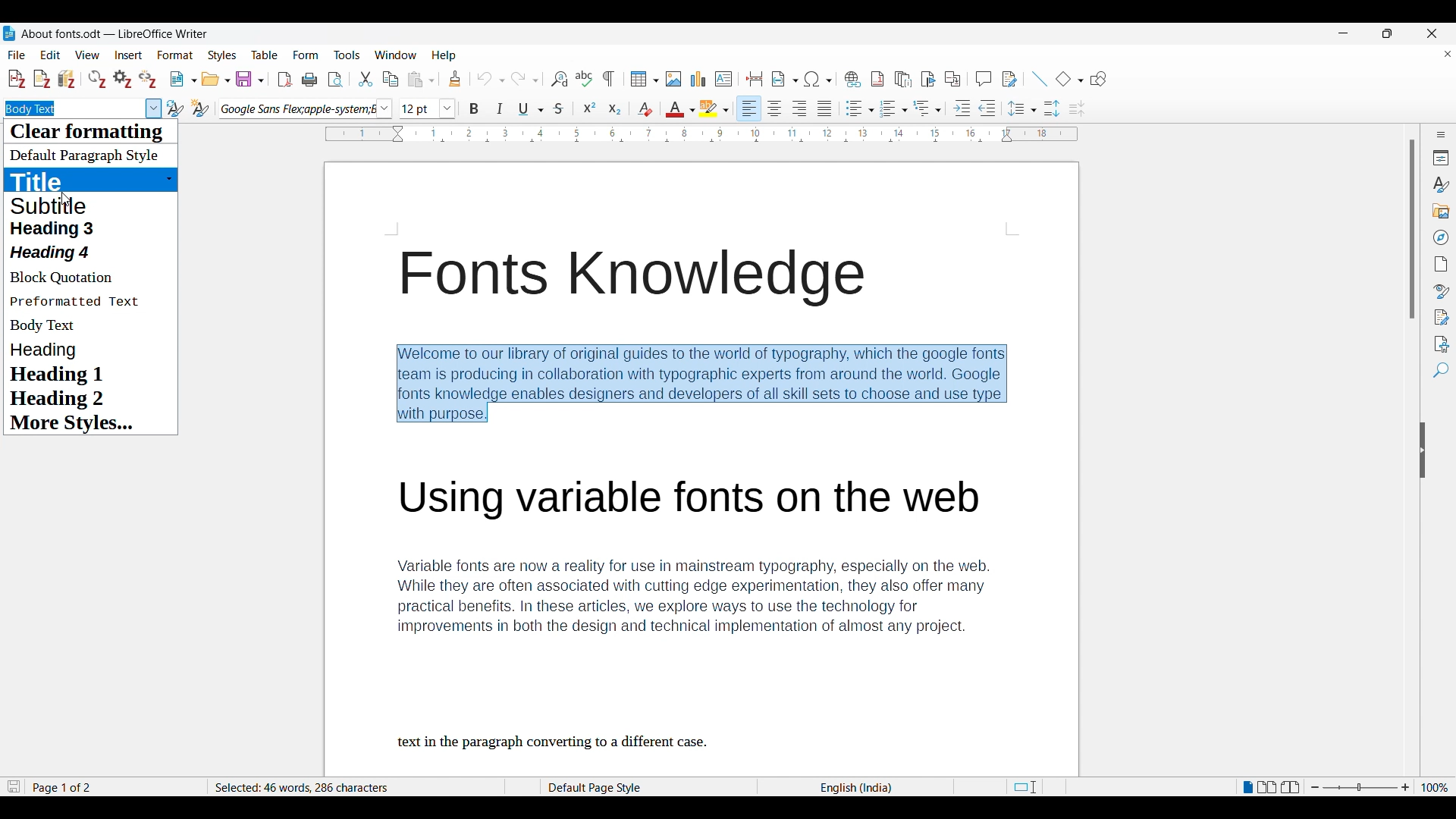  Describe the element at coordinates (95, 133) in the screenshot. I see `Clear formatting` at that location.